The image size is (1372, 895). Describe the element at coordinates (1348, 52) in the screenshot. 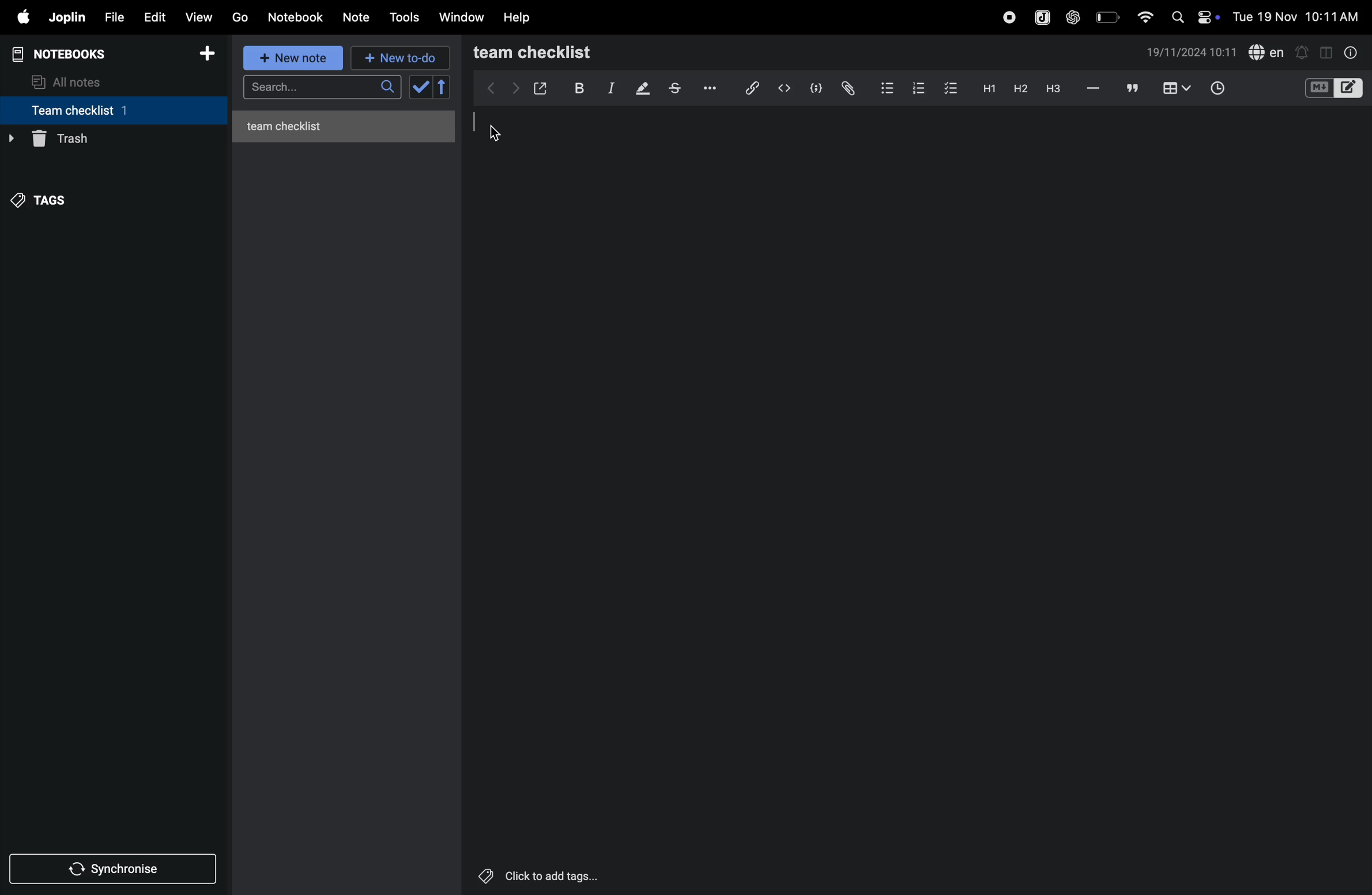

I see `info` at that location.